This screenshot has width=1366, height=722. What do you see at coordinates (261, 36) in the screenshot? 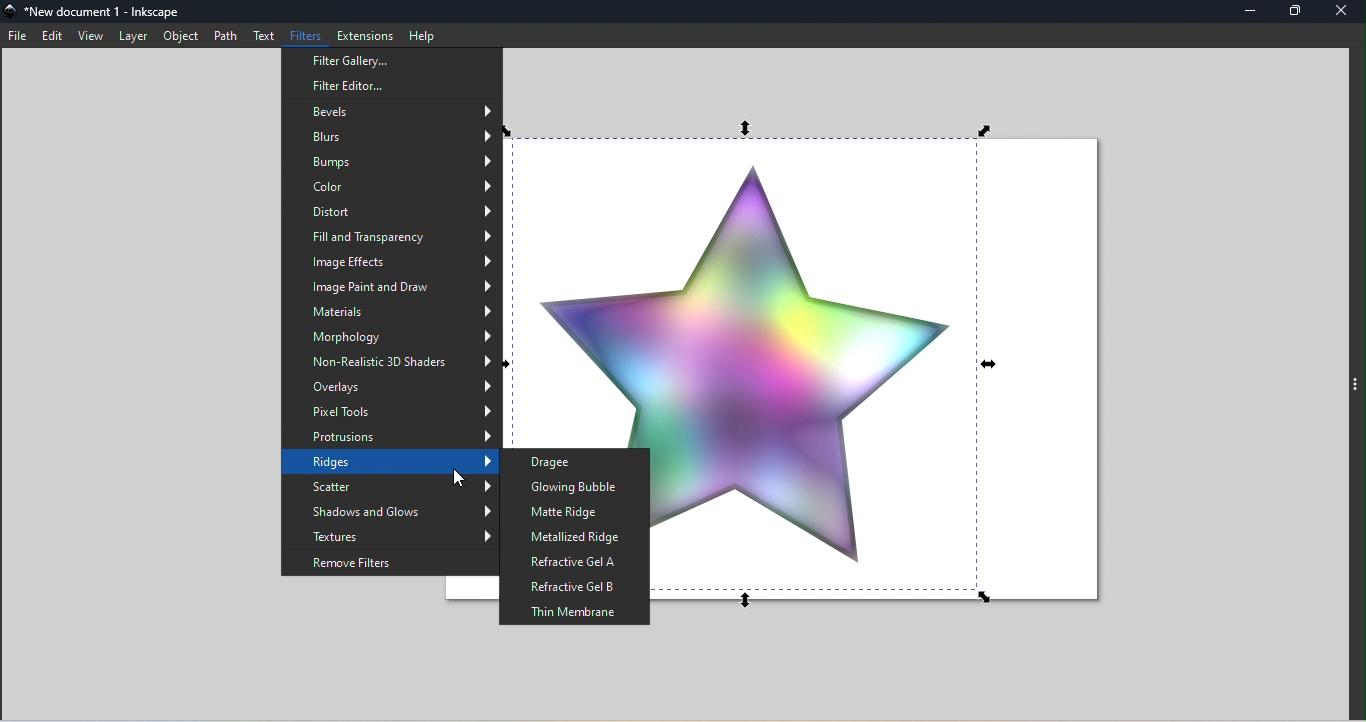
I see `Text` at bounding box center [261, 36].